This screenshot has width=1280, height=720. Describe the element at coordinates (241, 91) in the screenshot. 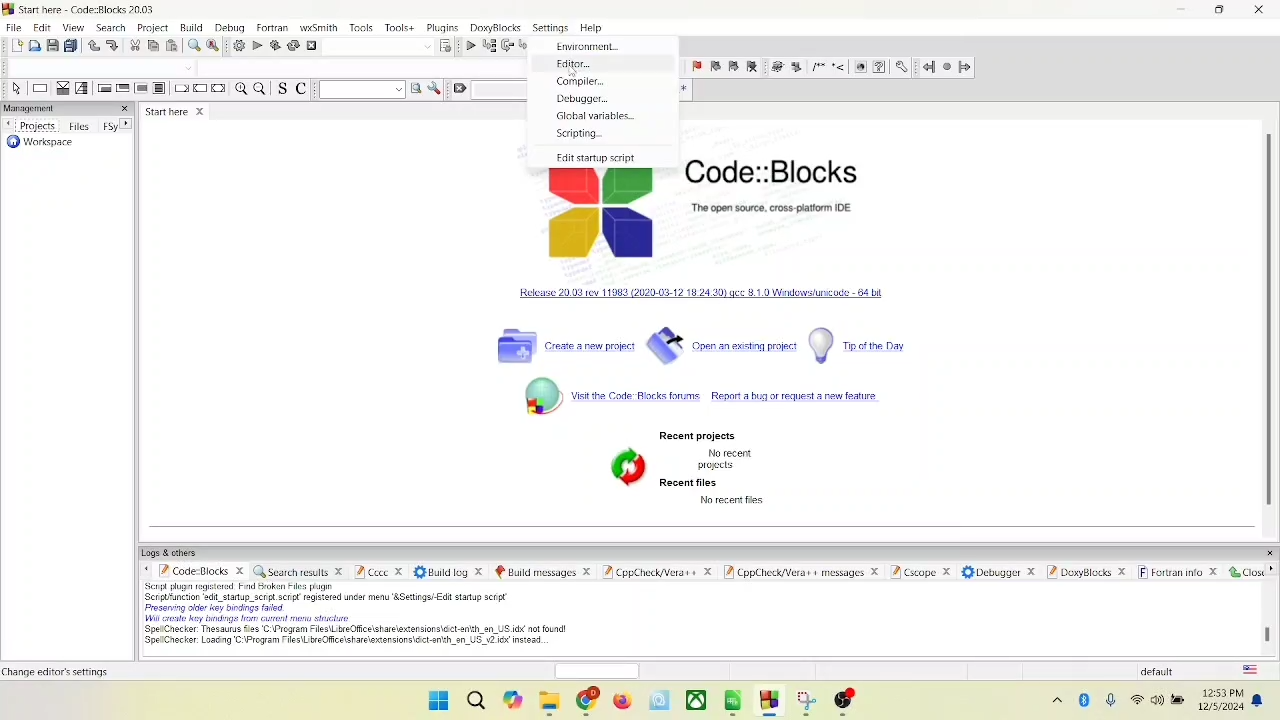

I see `zoom in` at that location.